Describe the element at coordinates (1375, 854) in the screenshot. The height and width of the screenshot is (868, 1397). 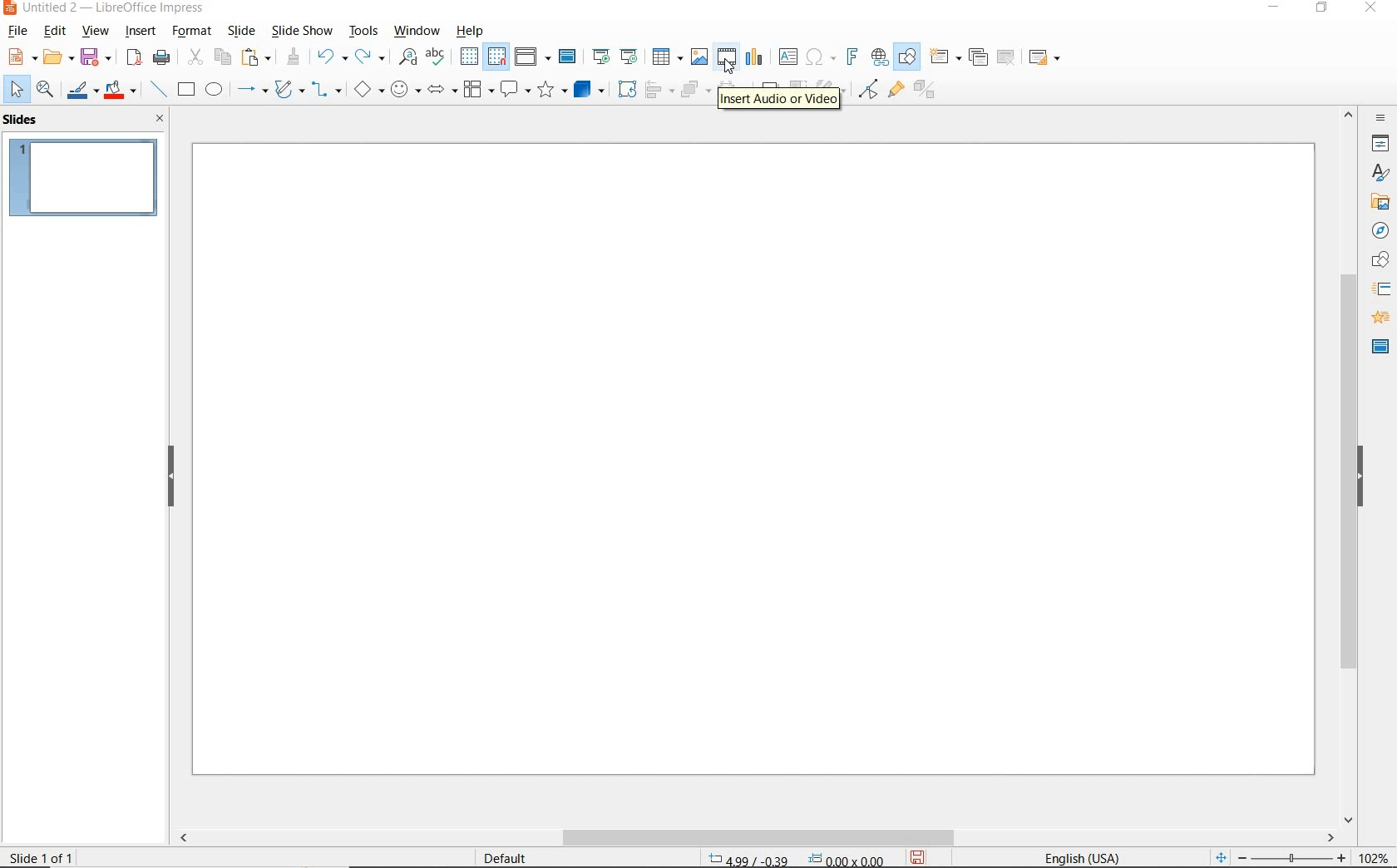
I see `ZOOM FACTOR` at that location.